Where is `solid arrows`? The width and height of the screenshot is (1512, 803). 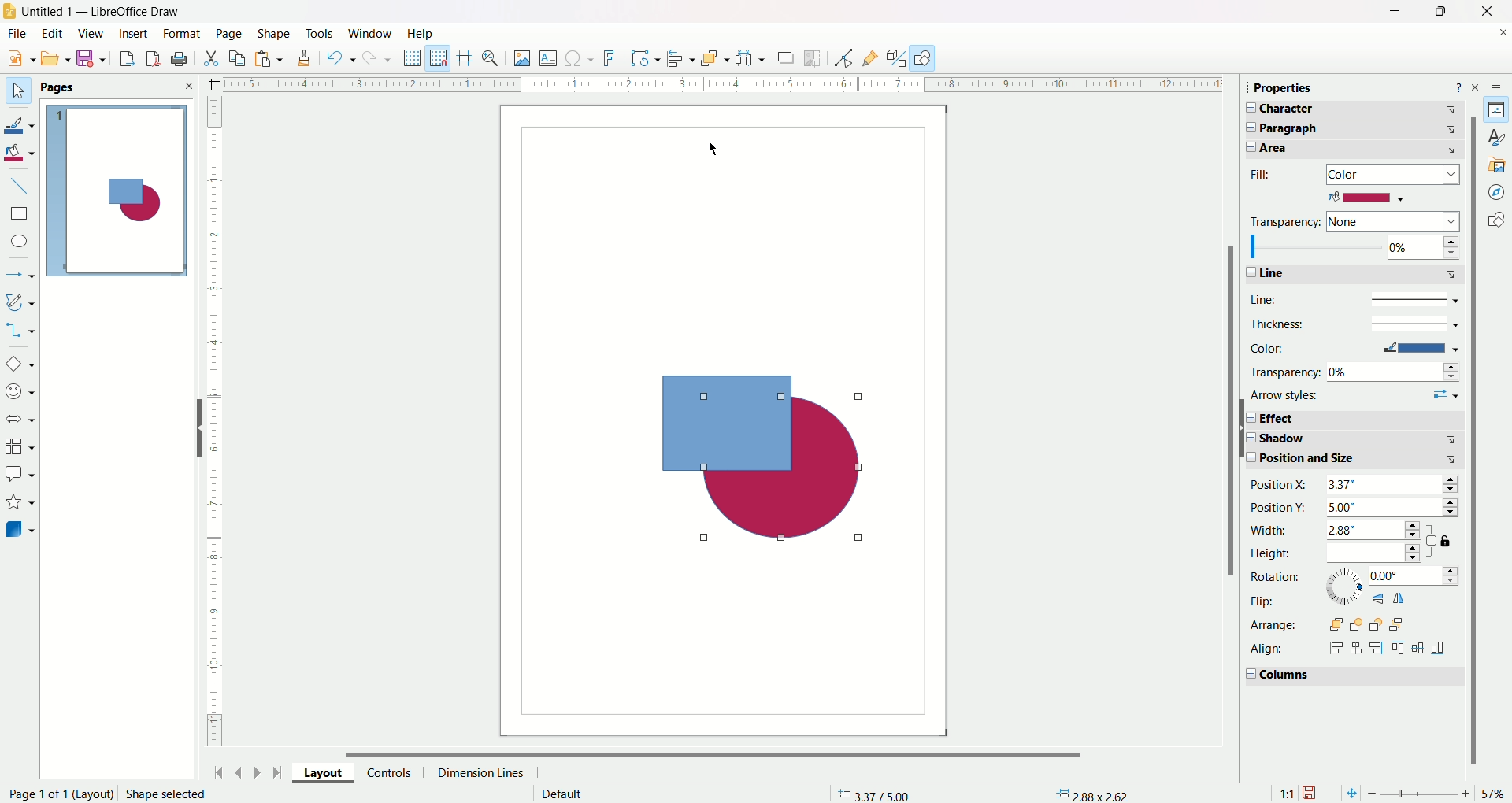 solid arrows is located at coordinates (20, 420).